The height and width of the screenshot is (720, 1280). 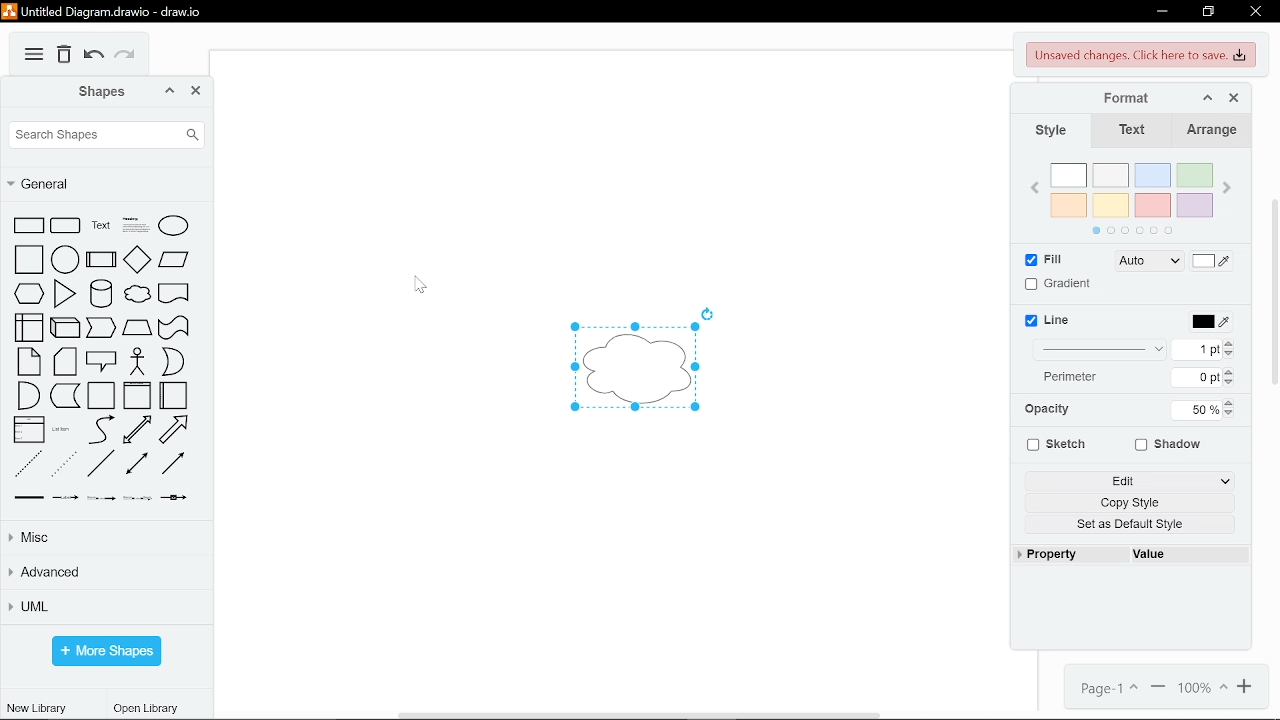 I want to click on pages in color section, so click(x=1133, y=231).